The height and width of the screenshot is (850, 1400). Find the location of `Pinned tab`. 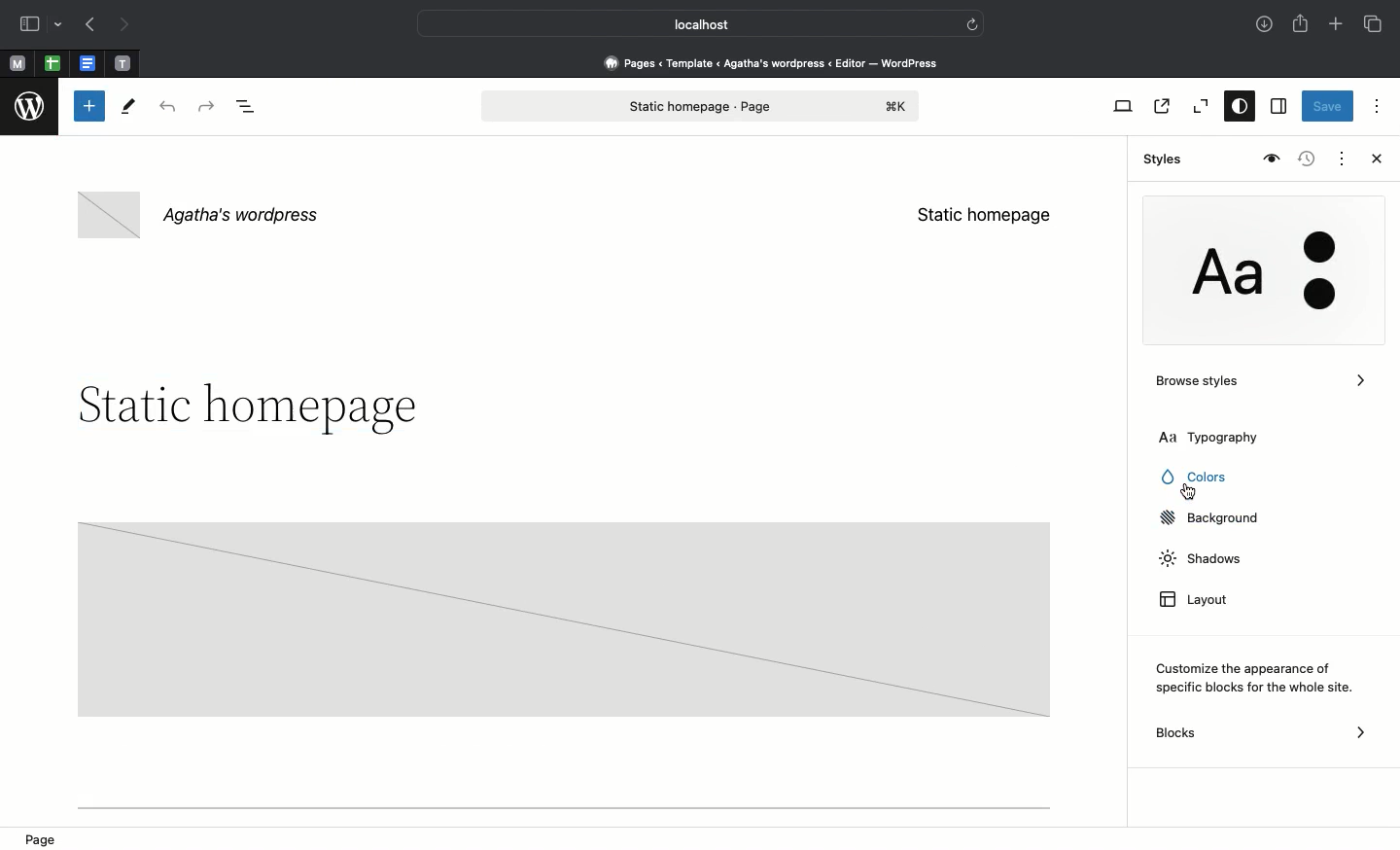

Pinned tab is located at coordinates (123, 64).